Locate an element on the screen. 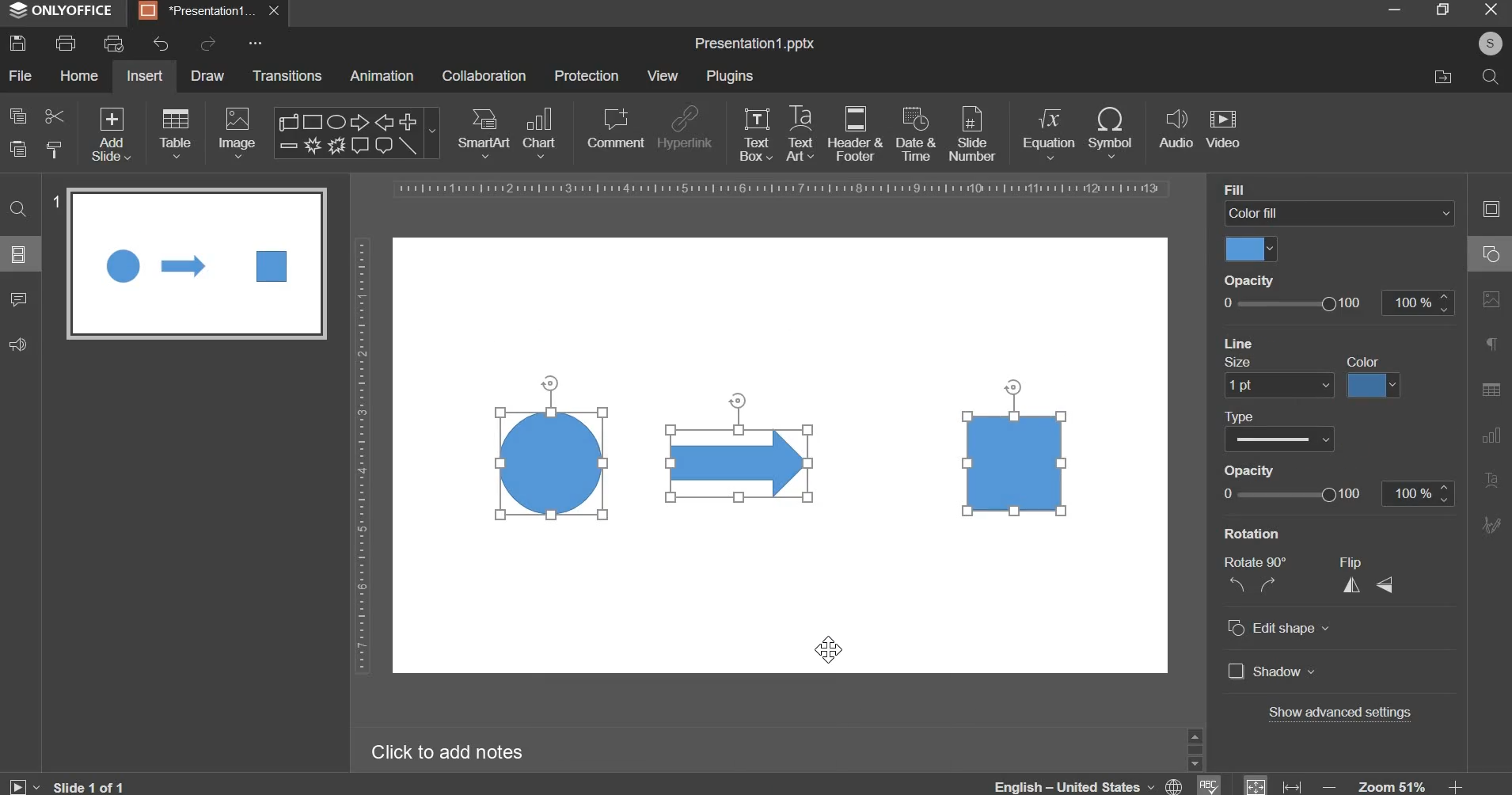 The image size is (1512, 795). comment is located at coordinates (614, 127).